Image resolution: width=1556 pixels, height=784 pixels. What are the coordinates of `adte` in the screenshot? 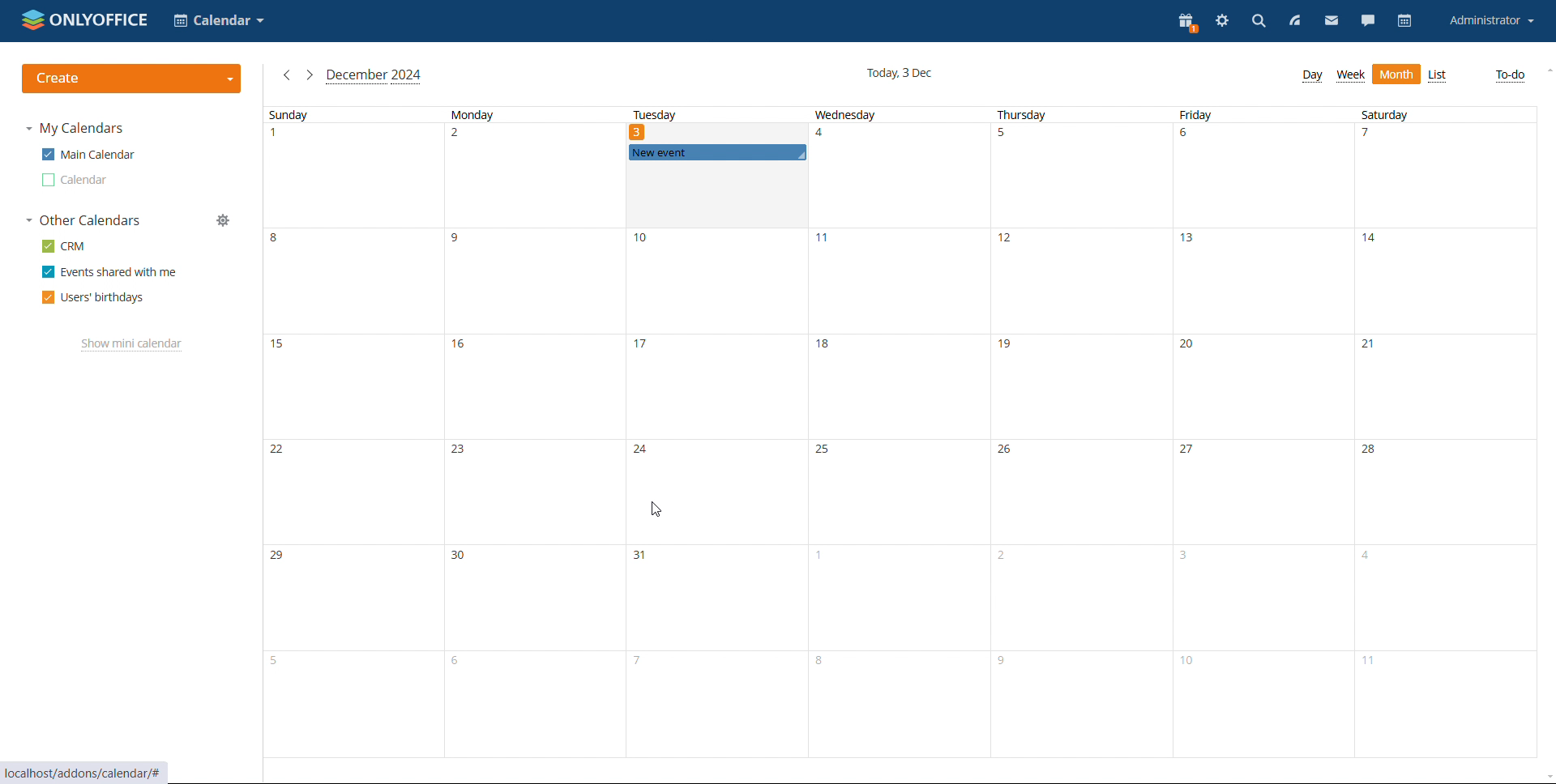 It's located at (1084, 492).